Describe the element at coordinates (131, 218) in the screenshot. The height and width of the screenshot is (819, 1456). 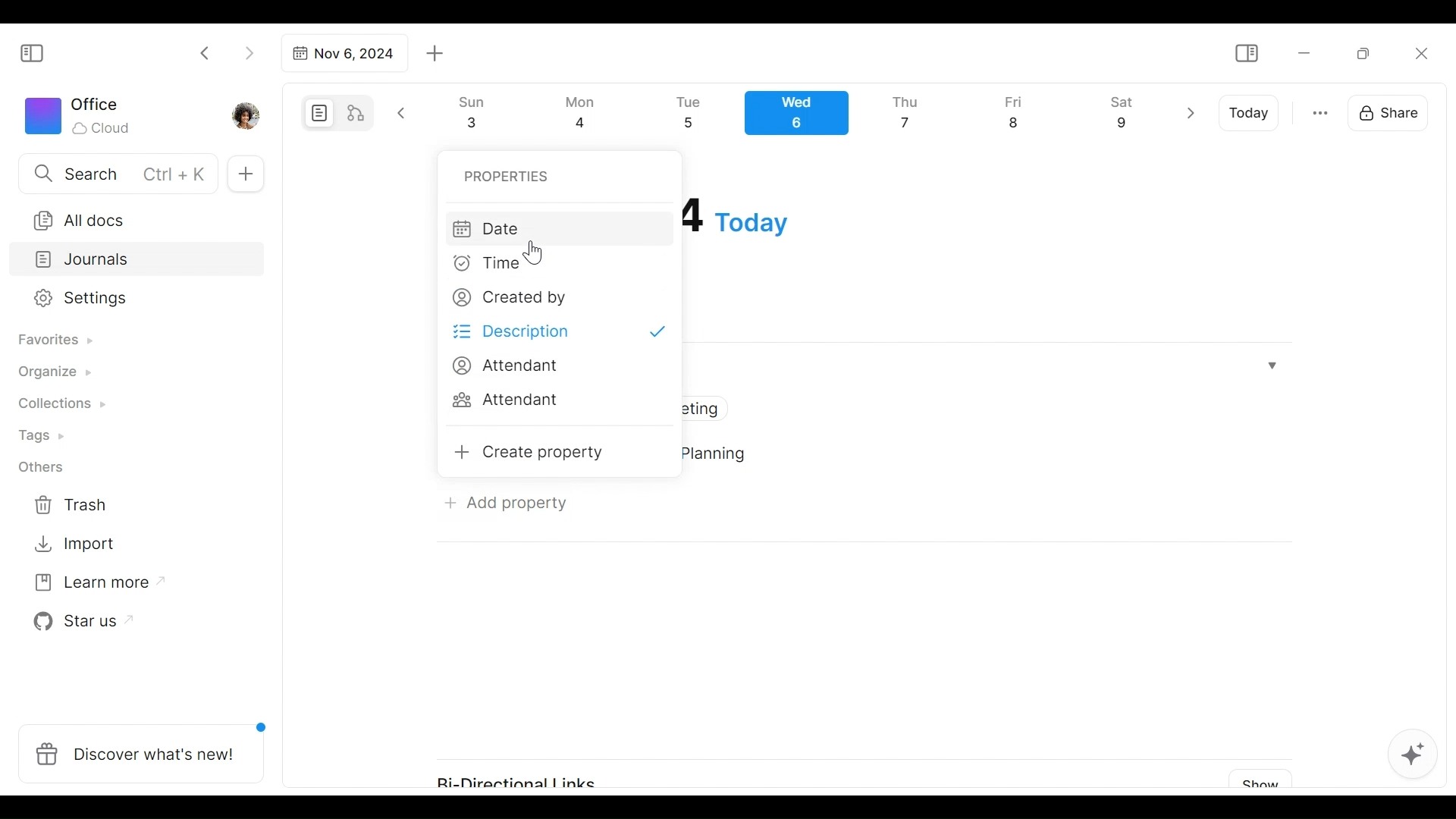
I see `All documents` at that location.